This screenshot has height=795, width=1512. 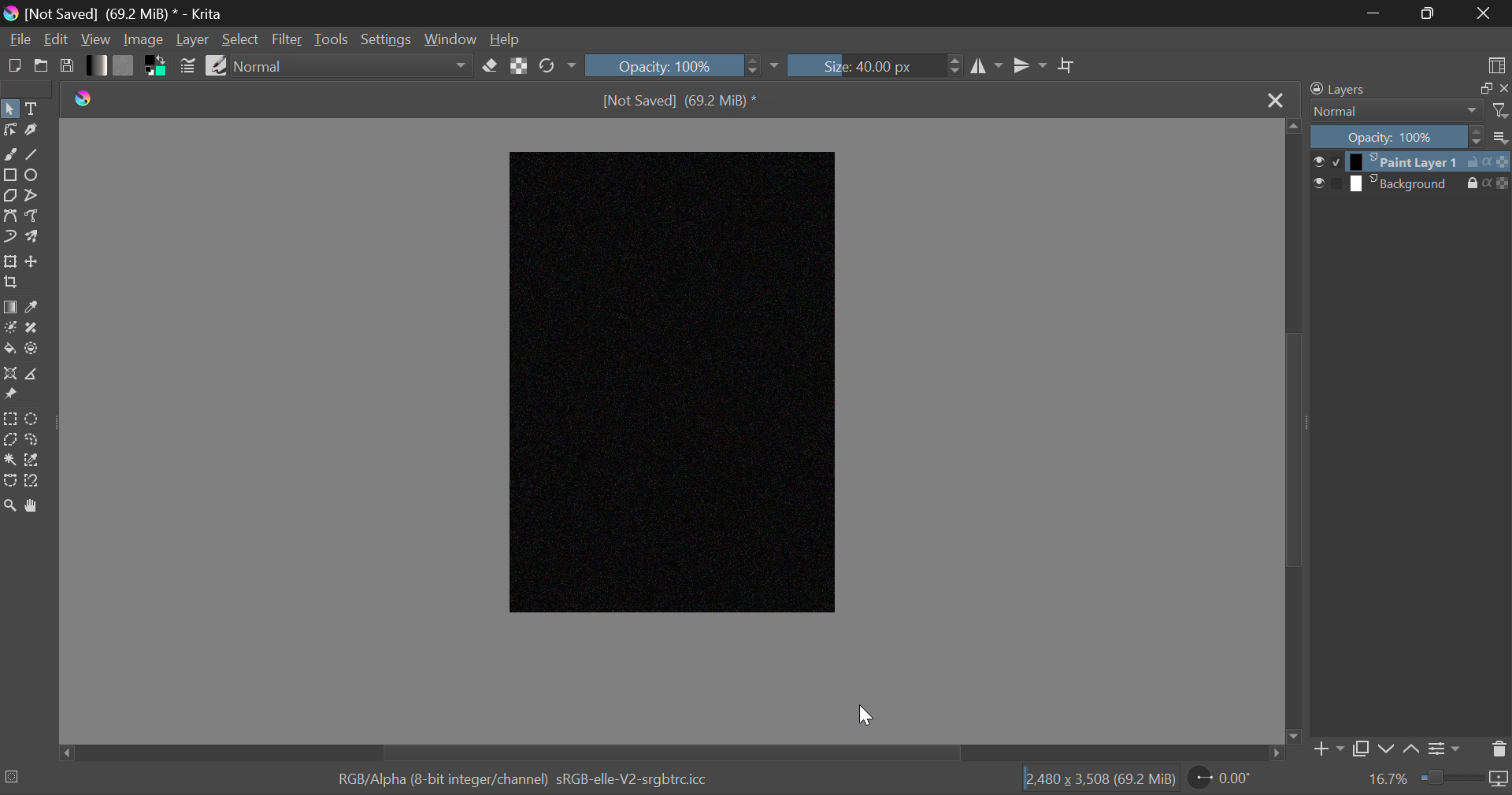 I want to click on maximize, so click(x=1477, y=88).